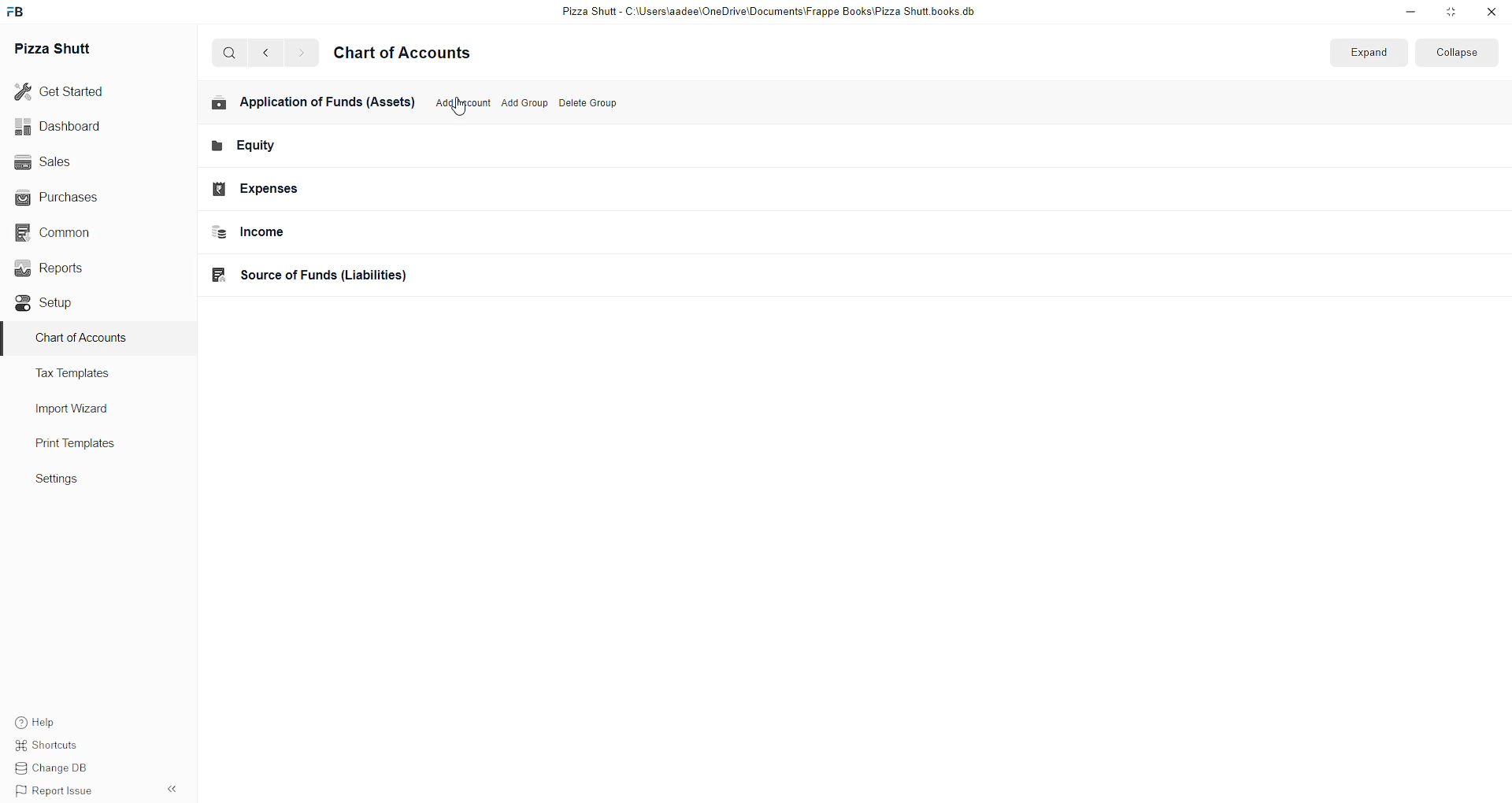 The width and height of the screenshot is (1512, 803). I want to click on collapse , so click(1455, 56).